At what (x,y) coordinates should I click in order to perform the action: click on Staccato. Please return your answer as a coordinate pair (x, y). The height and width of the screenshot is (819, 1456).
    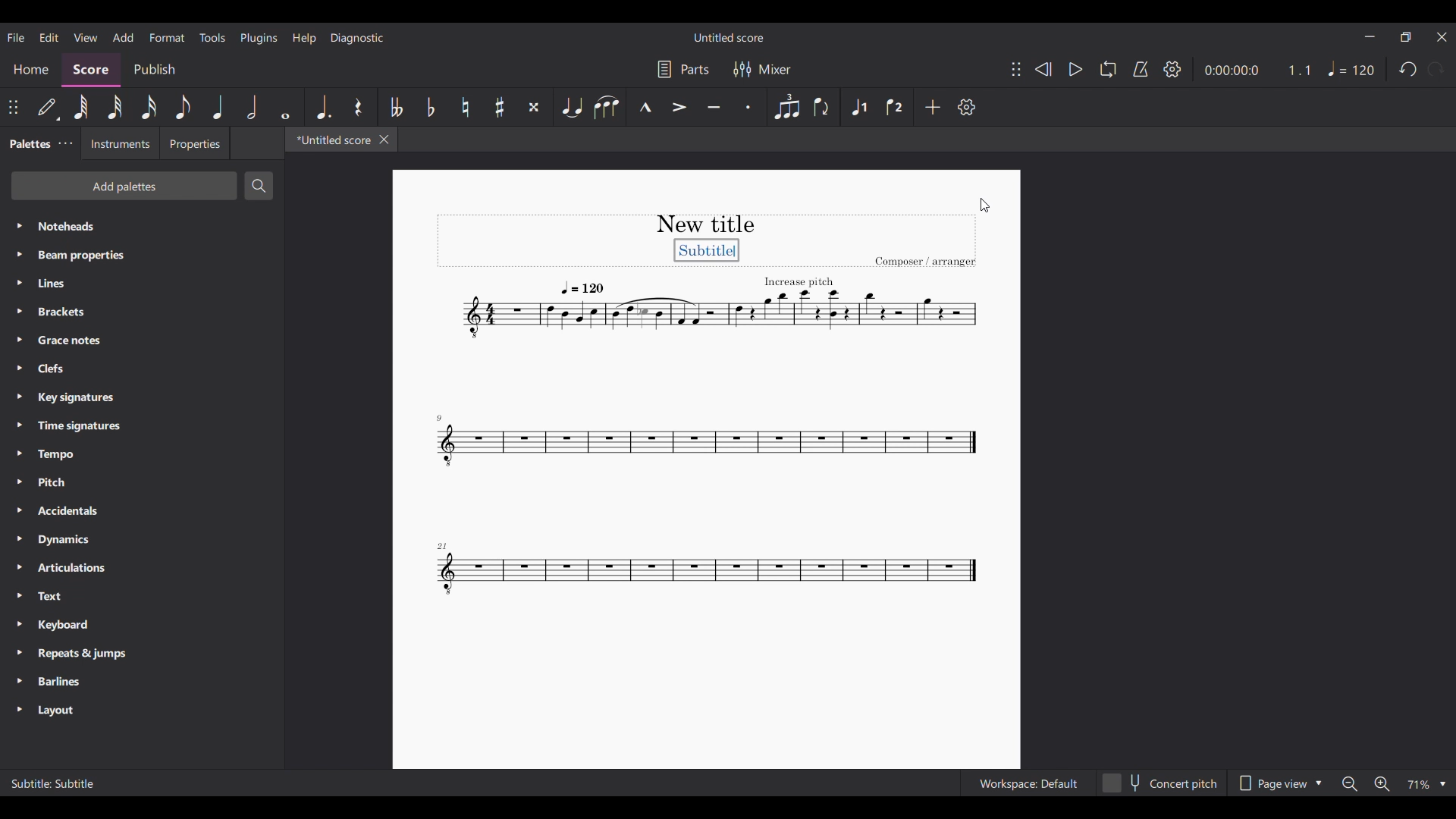
    Looking at the image, I should click on (748, 107).